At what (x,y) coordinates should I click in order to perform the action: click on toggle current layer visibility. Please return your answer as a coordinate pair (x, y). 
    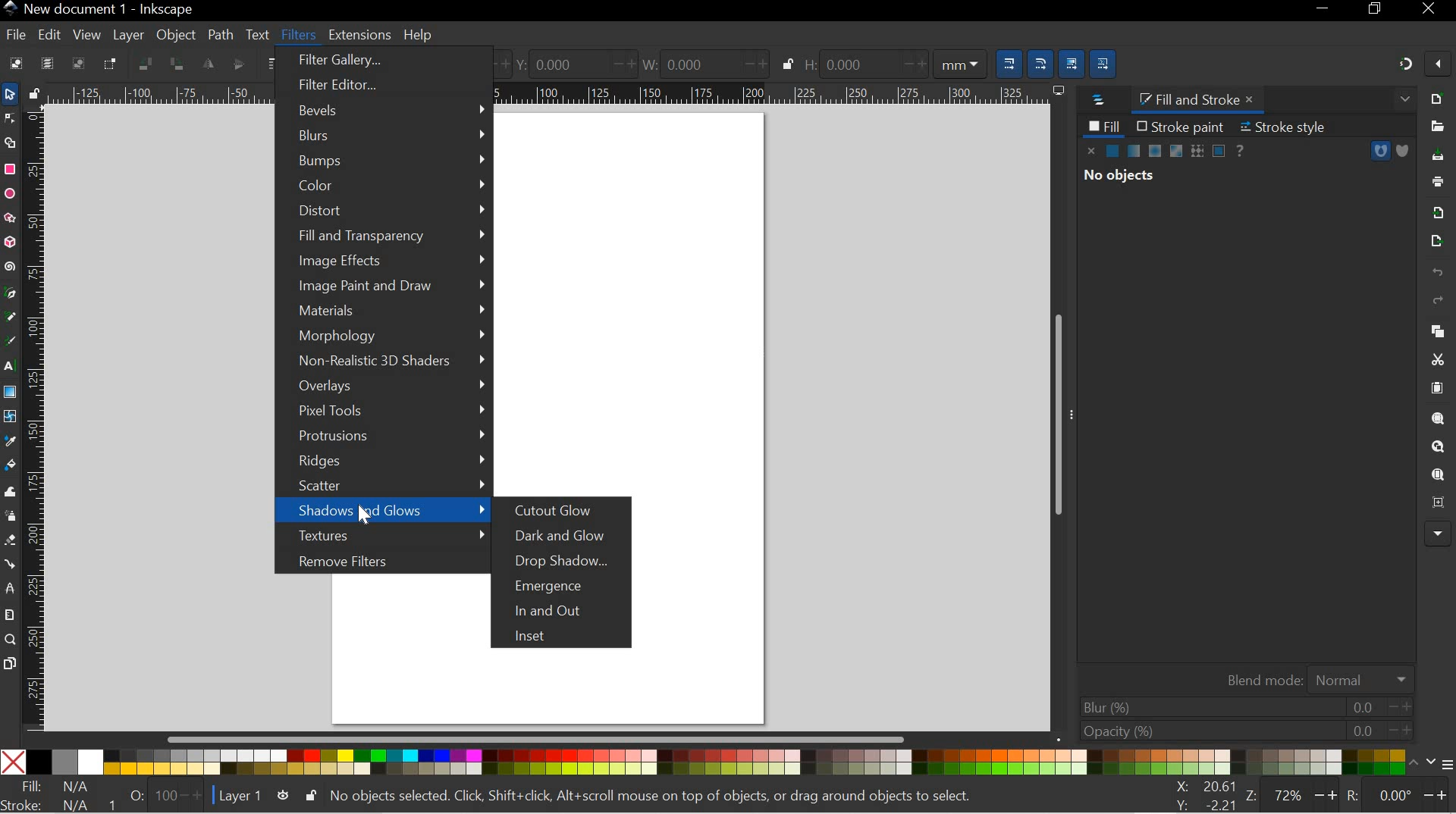
    Looking at the image, I should click on (283, 795).